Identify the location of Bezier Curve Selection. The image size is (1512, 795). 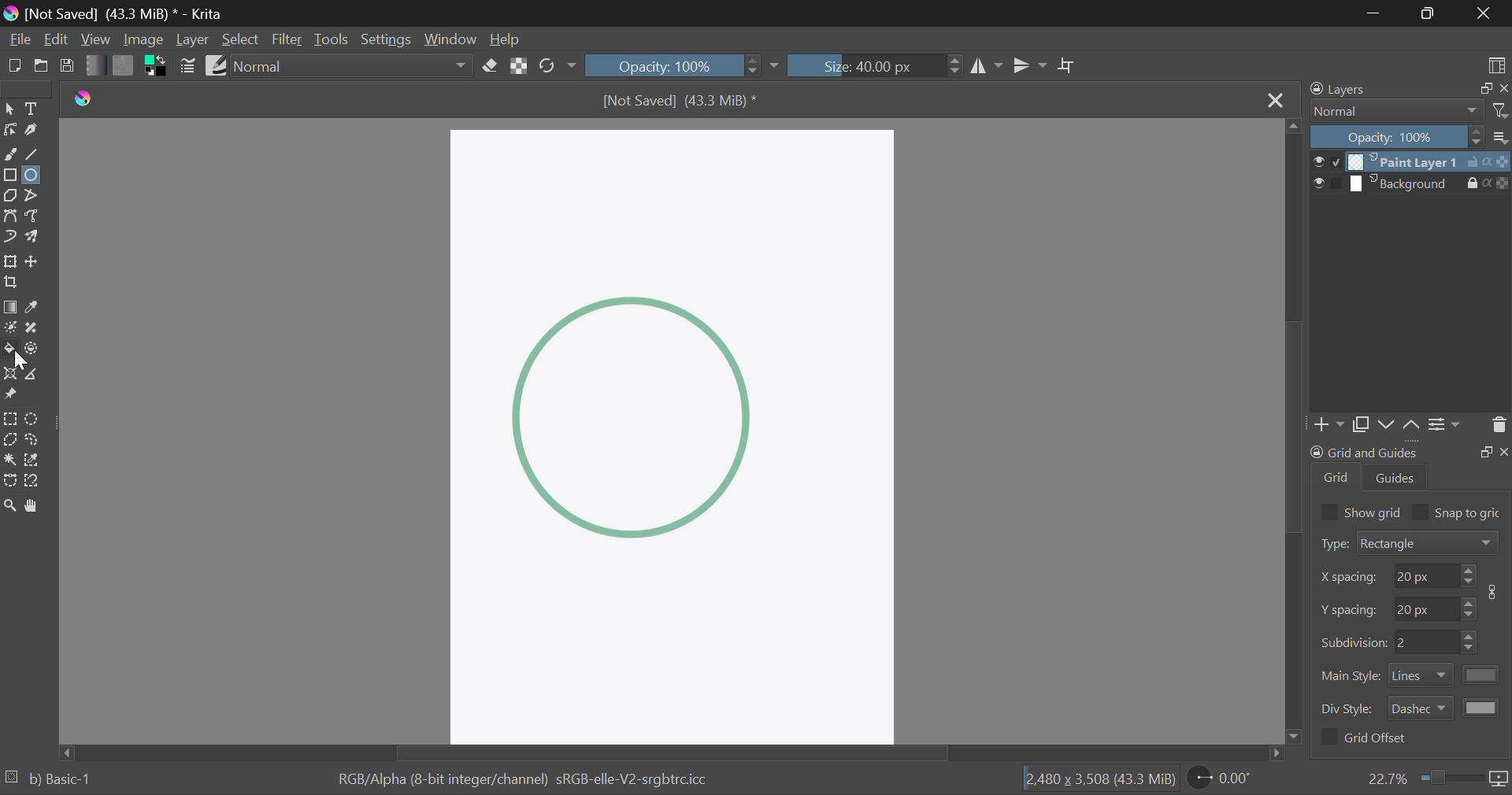
(9, 482).